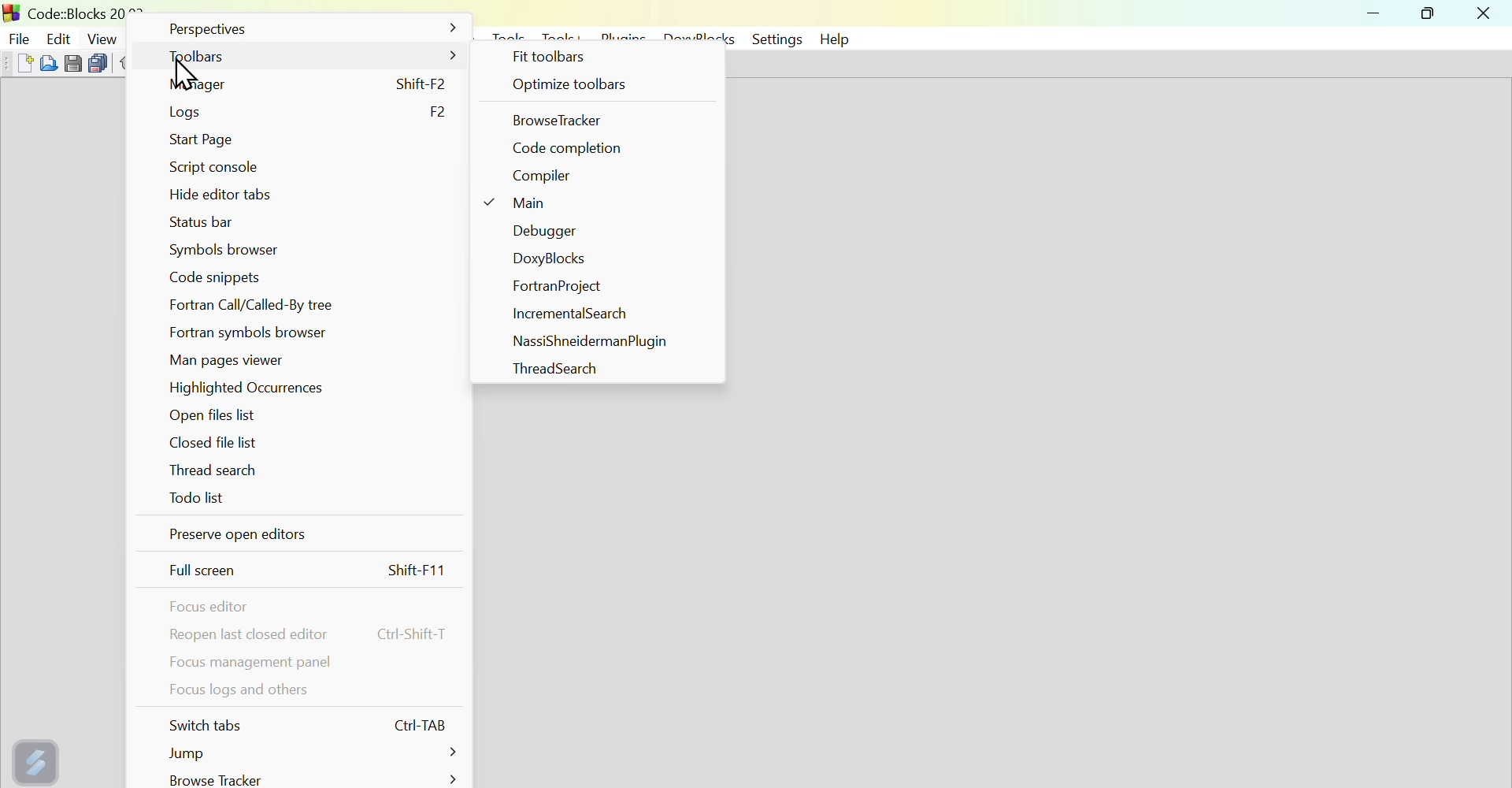  Describe the element at coordinates (565, 121) in the screenshot. I see `Browse tracker` at that location.